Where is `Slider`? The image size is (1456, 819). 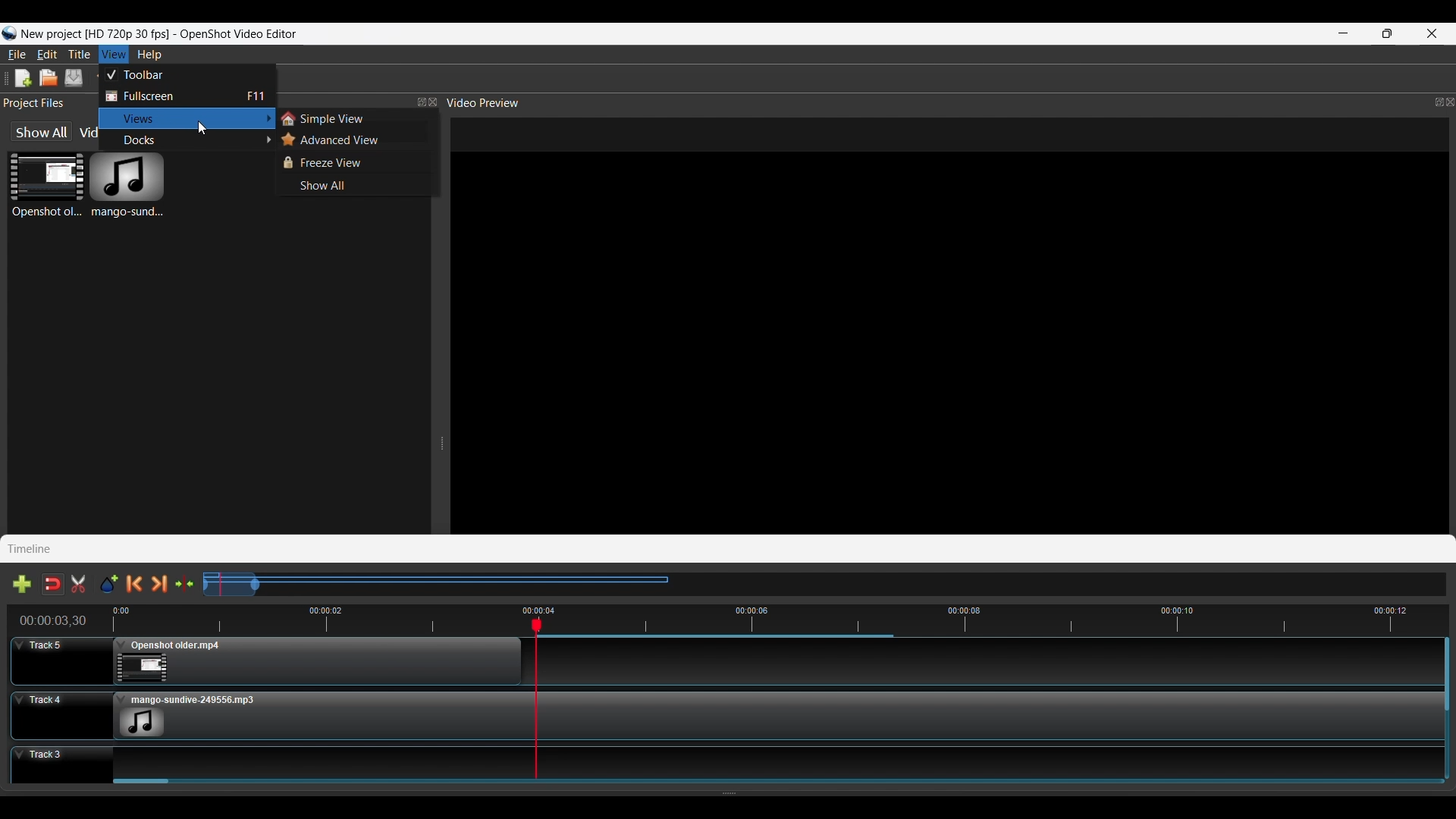 Slider is located at coordinates (785, 783).